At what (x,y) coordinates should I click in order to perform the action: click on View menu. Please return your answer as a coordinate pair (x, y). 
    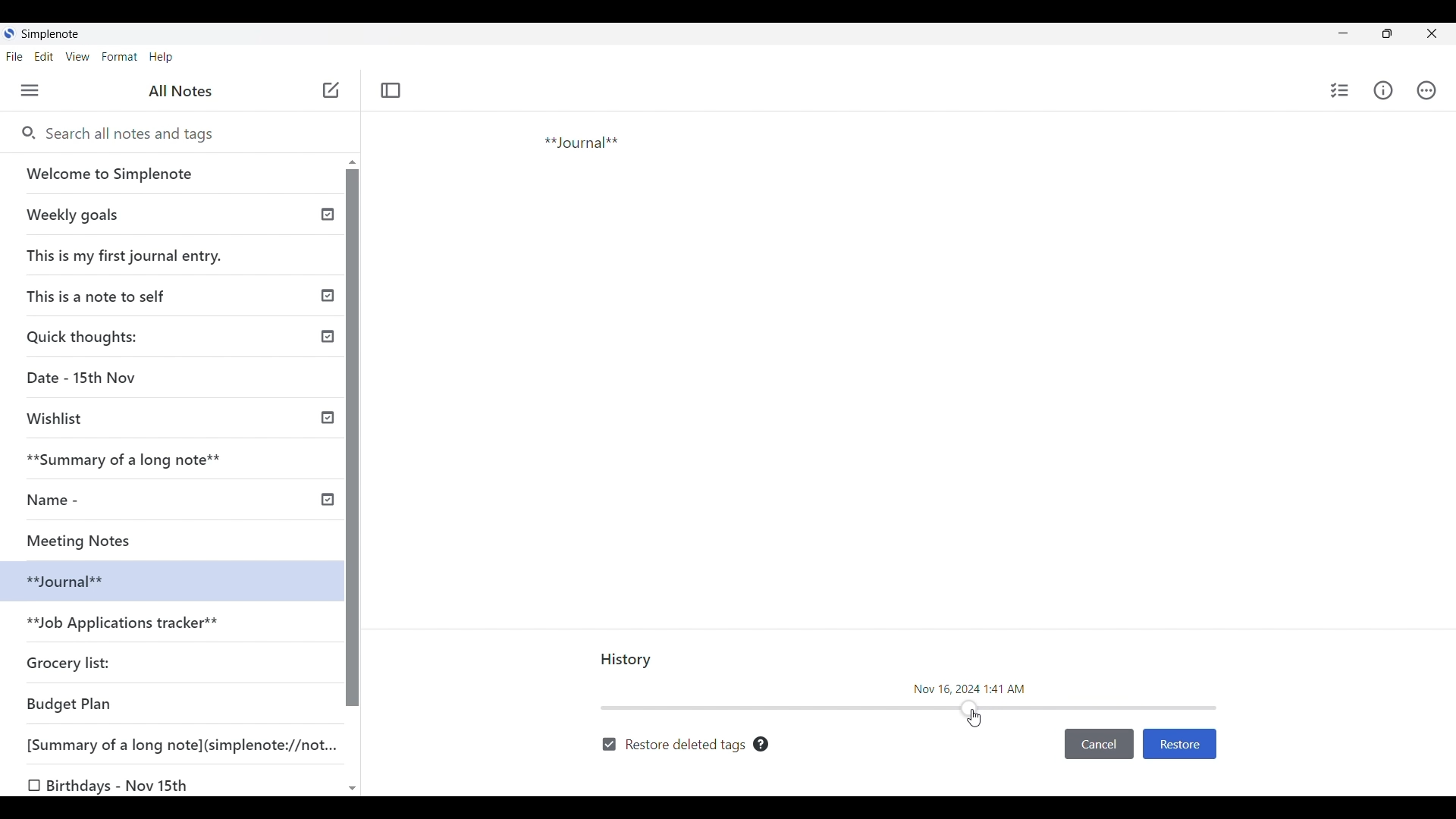
    Looking at the image, I should click on (78, 57).